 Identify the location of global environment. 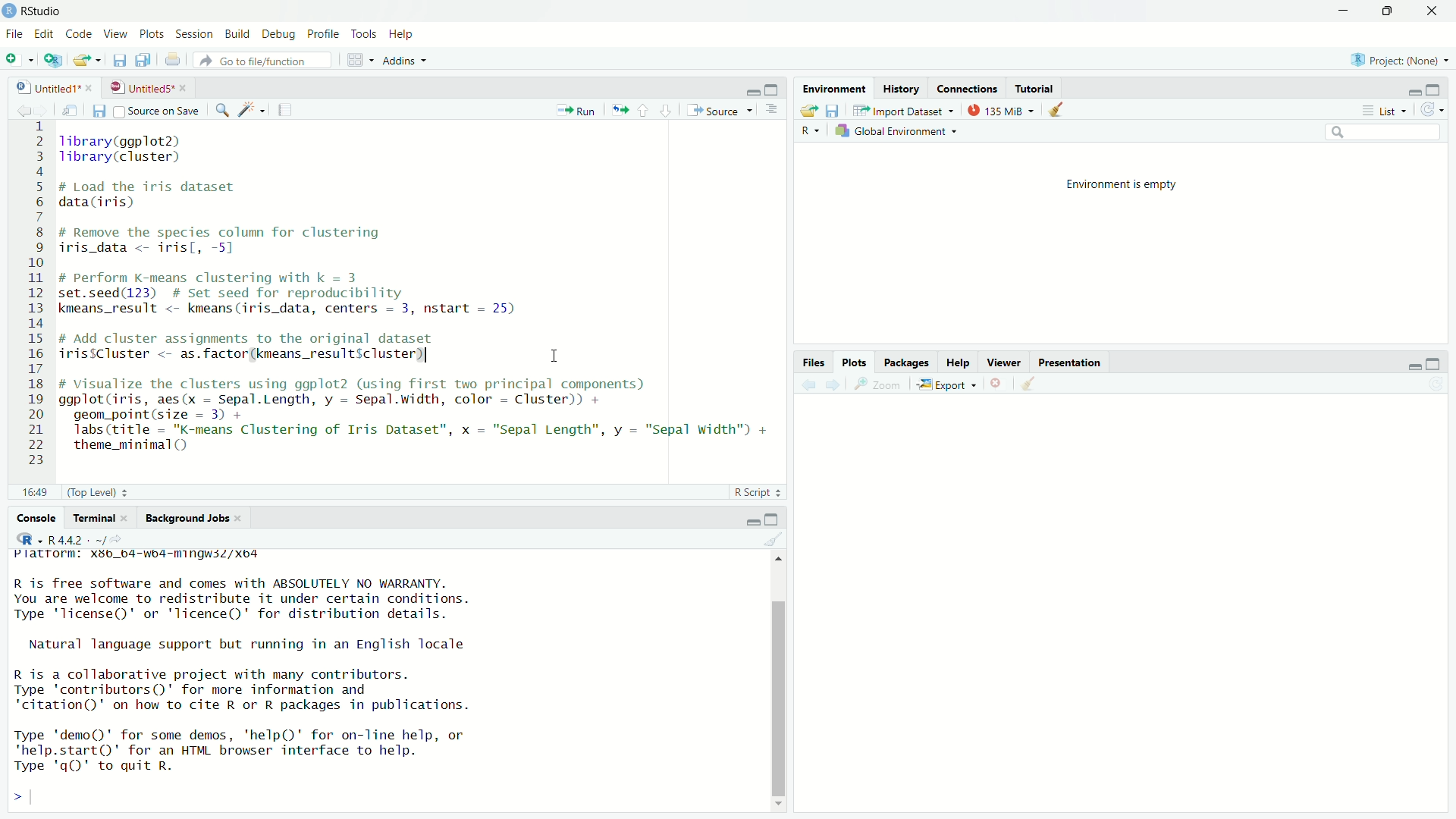
(899, 132).